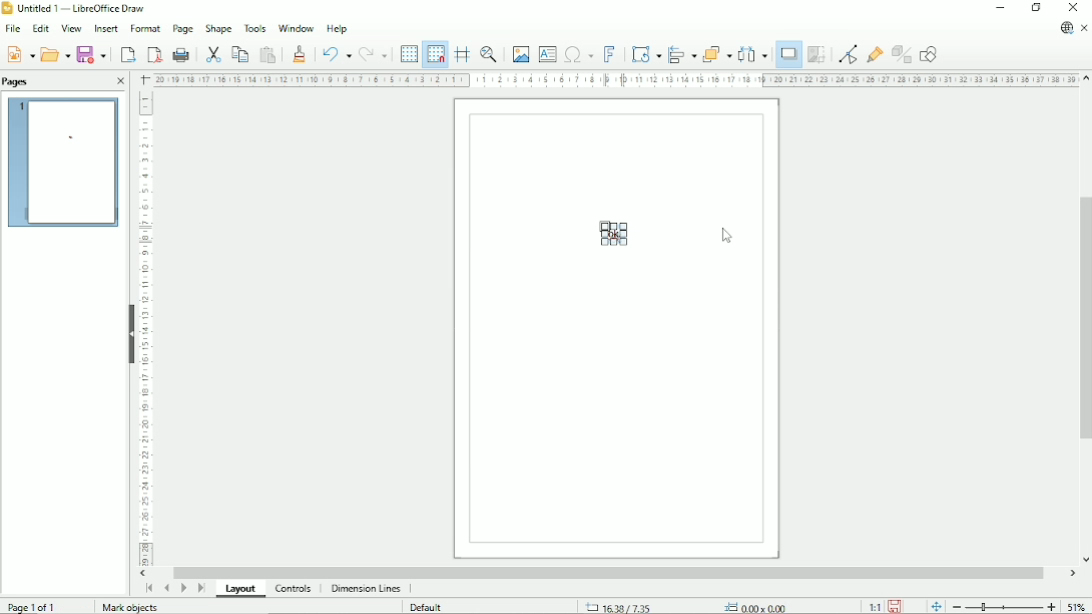 The image size is (1092, 614). I want to click on Horizontal scale, so click(614, 79).